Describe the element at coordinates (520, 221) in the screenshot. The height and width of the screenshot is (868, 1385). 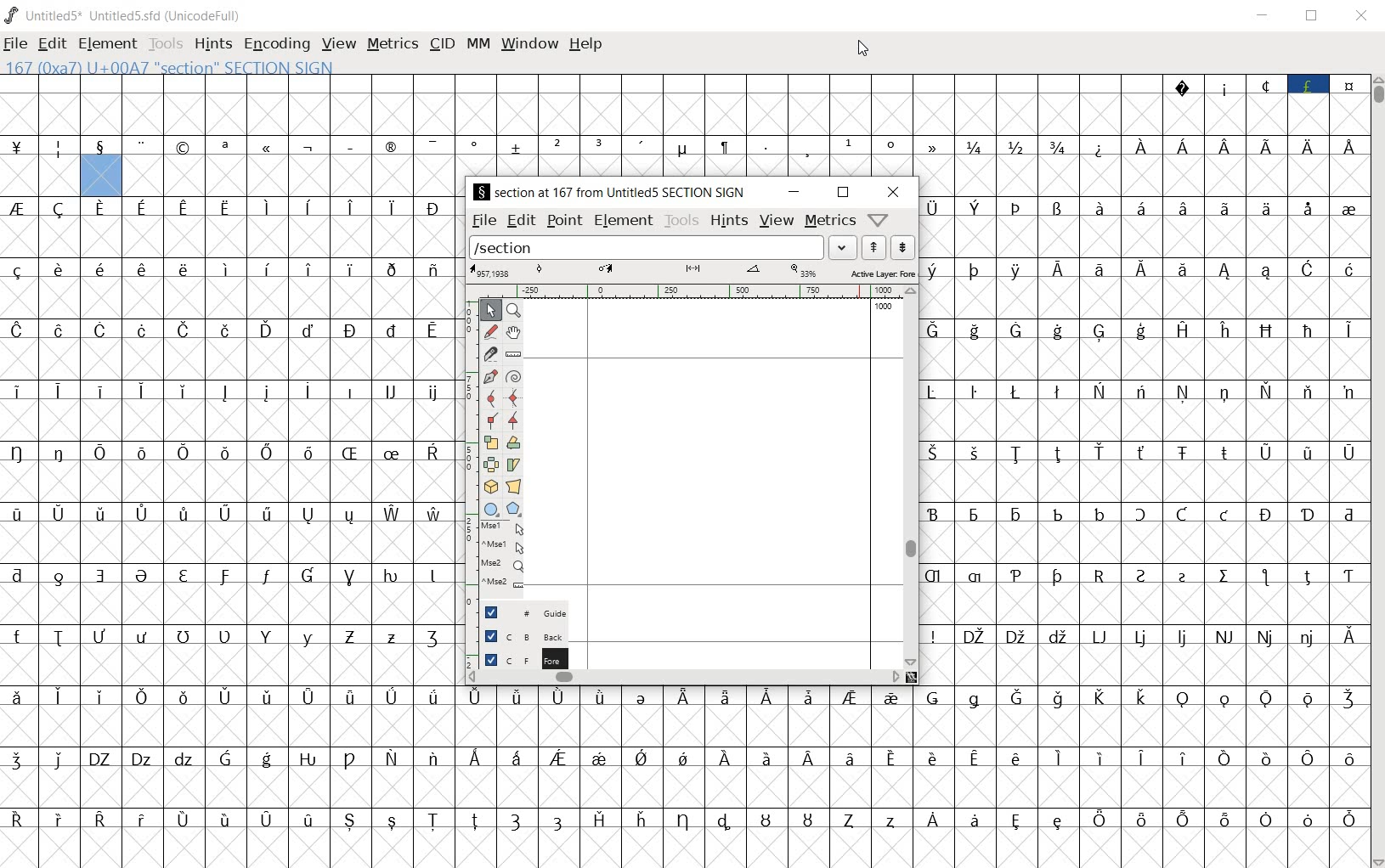
I see `edit` at that location.